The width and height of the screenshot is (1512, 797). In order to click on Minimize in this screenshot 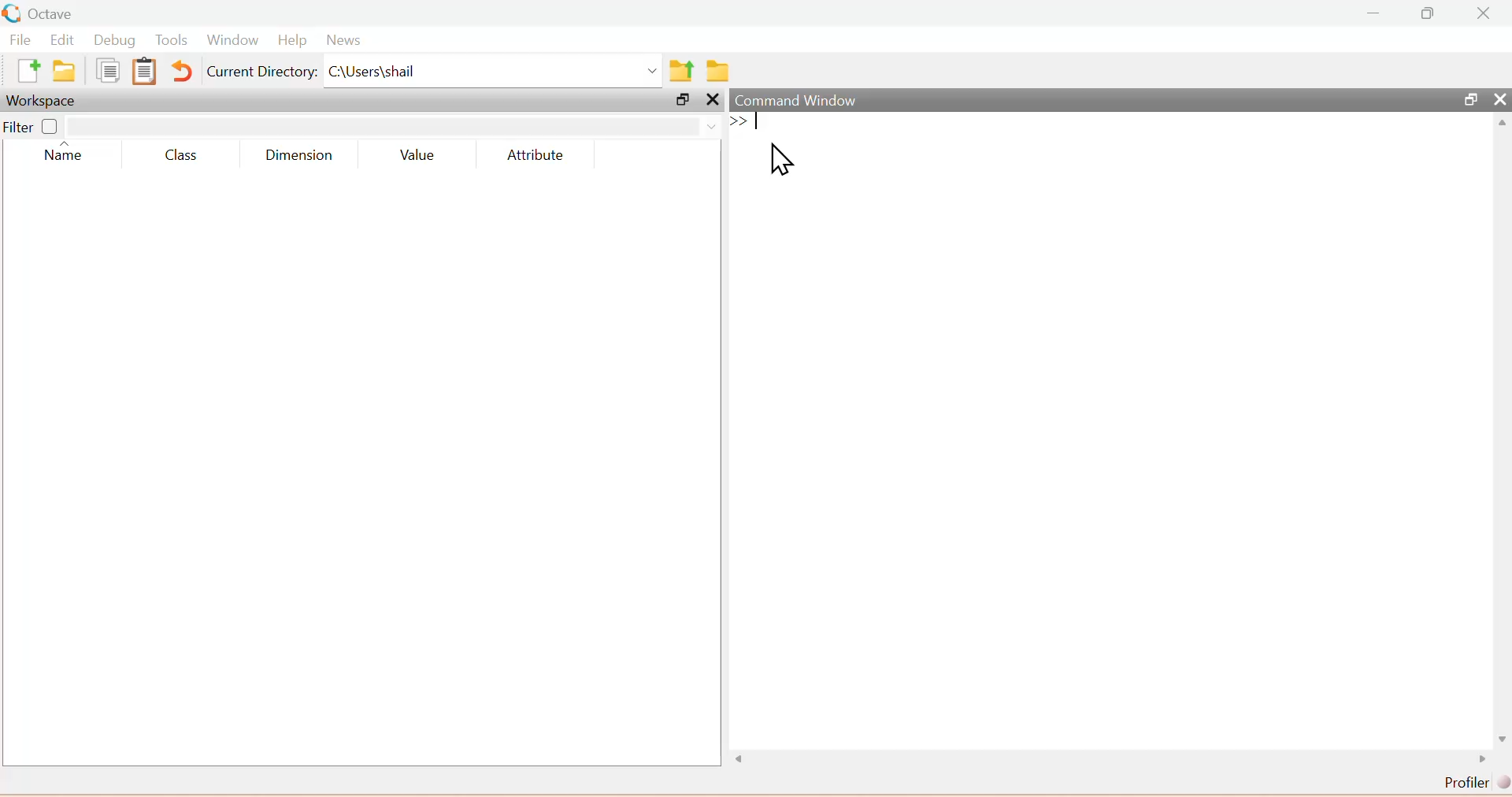, I will do `click(1375, 13)`.